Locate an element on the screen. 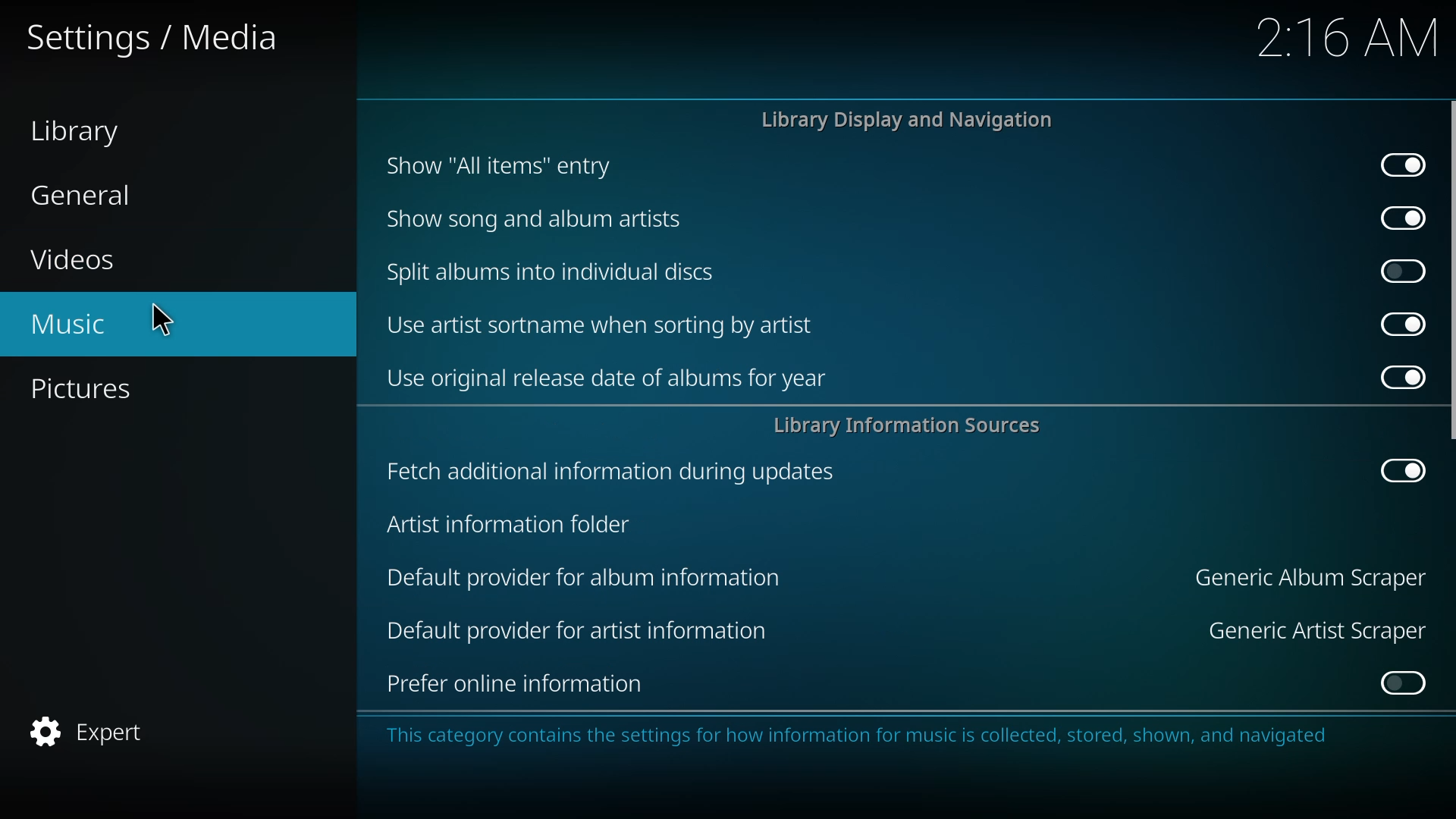 This screenshot has width=1456, height=819. default provider for album information is located at coordinates (585, 577).